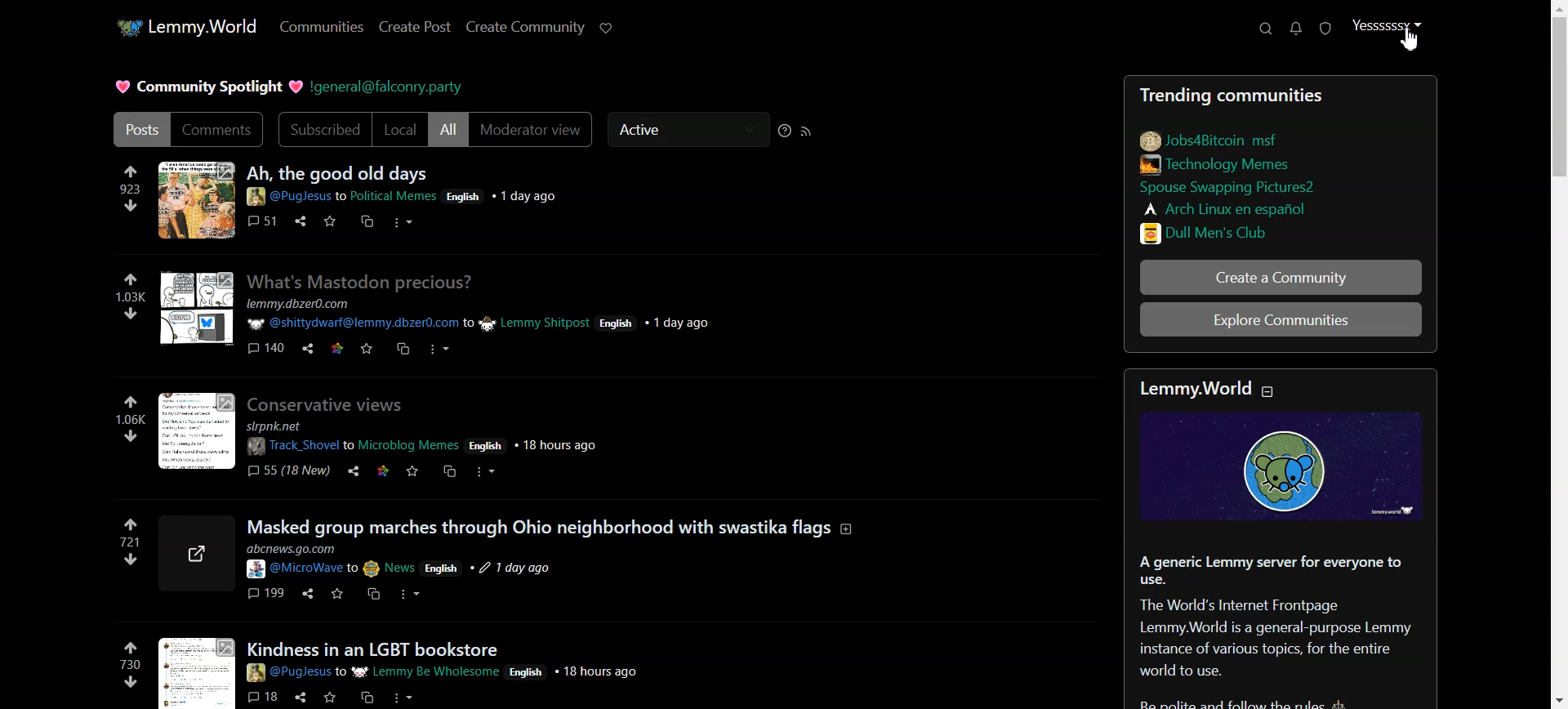 Image resolution: width=1568 pixels, height=709 pixels. What do you see at coordinates (320, 27) in the screenshot?
I see `Communities` at bounding box center [320, 27].